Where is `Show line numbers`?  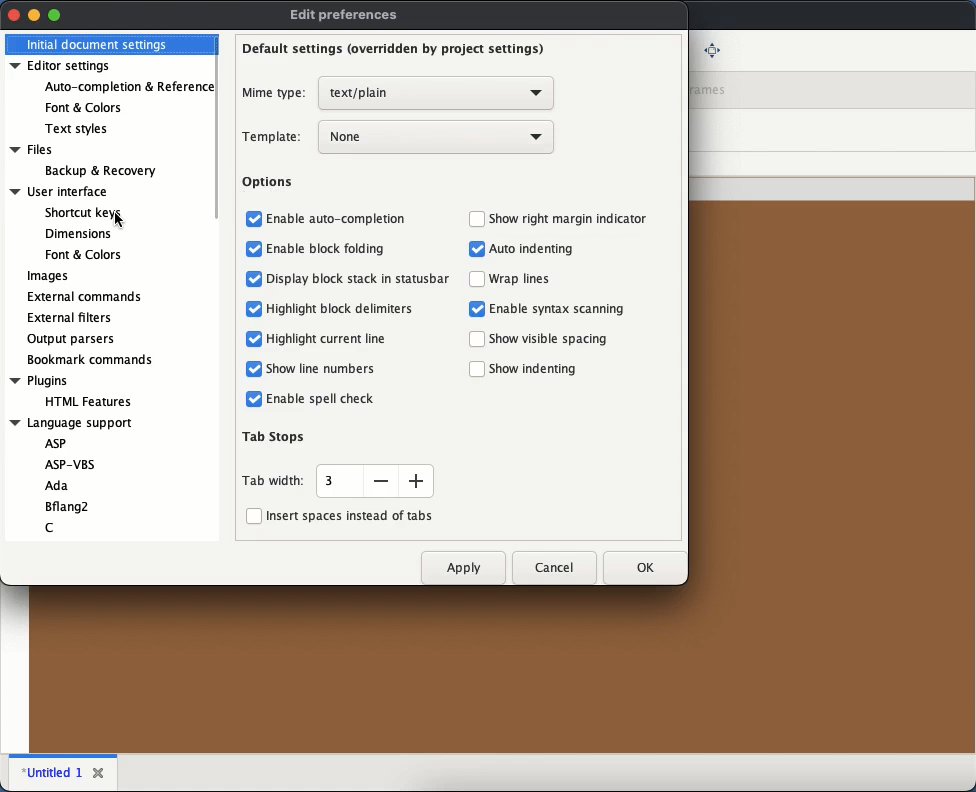 Show line numbers is located at coordinates (322, 368).